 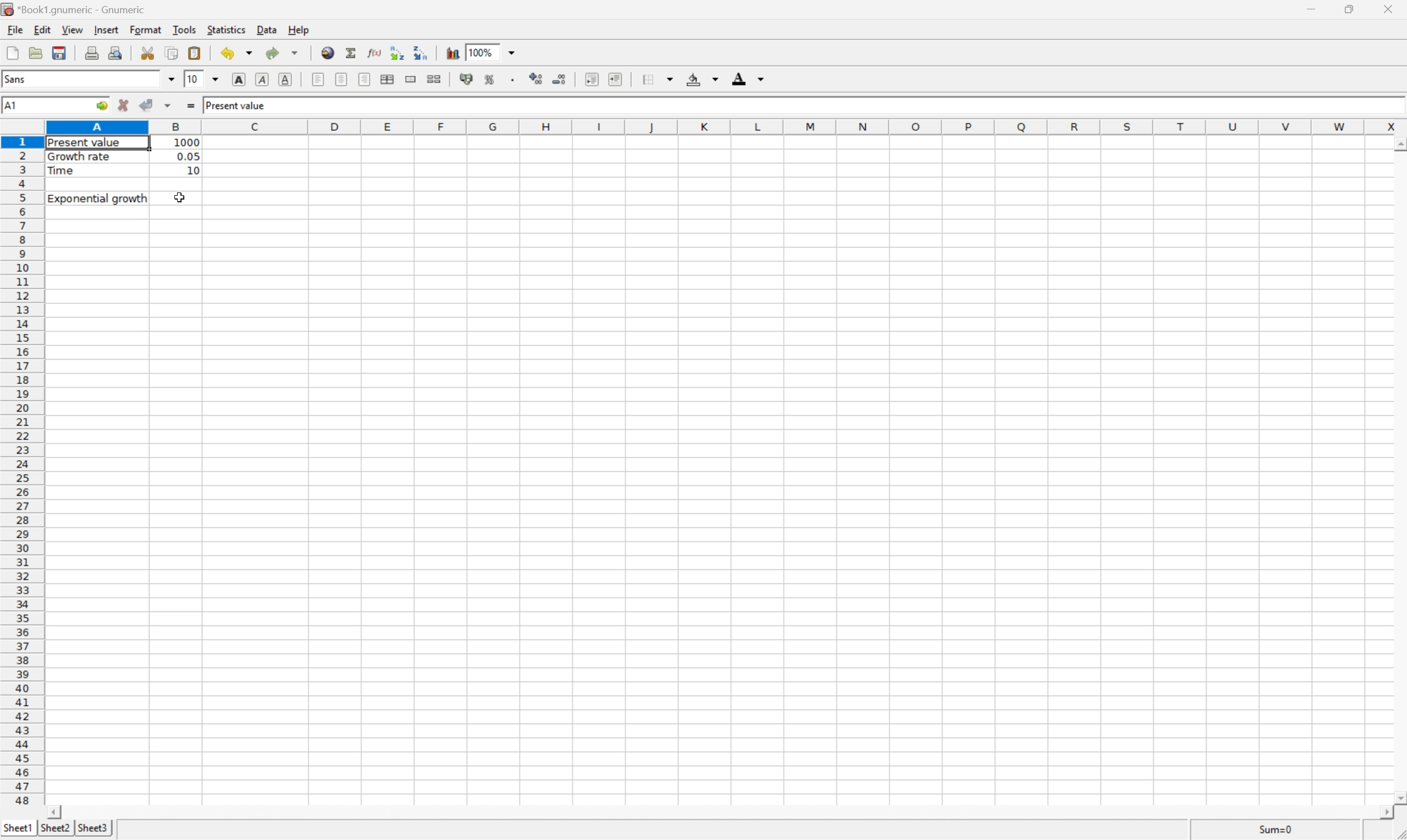 What do you see at coordinates (1273, 829) in the screenshot?
I see `Sum=0` at bounding box center [1273, 829].